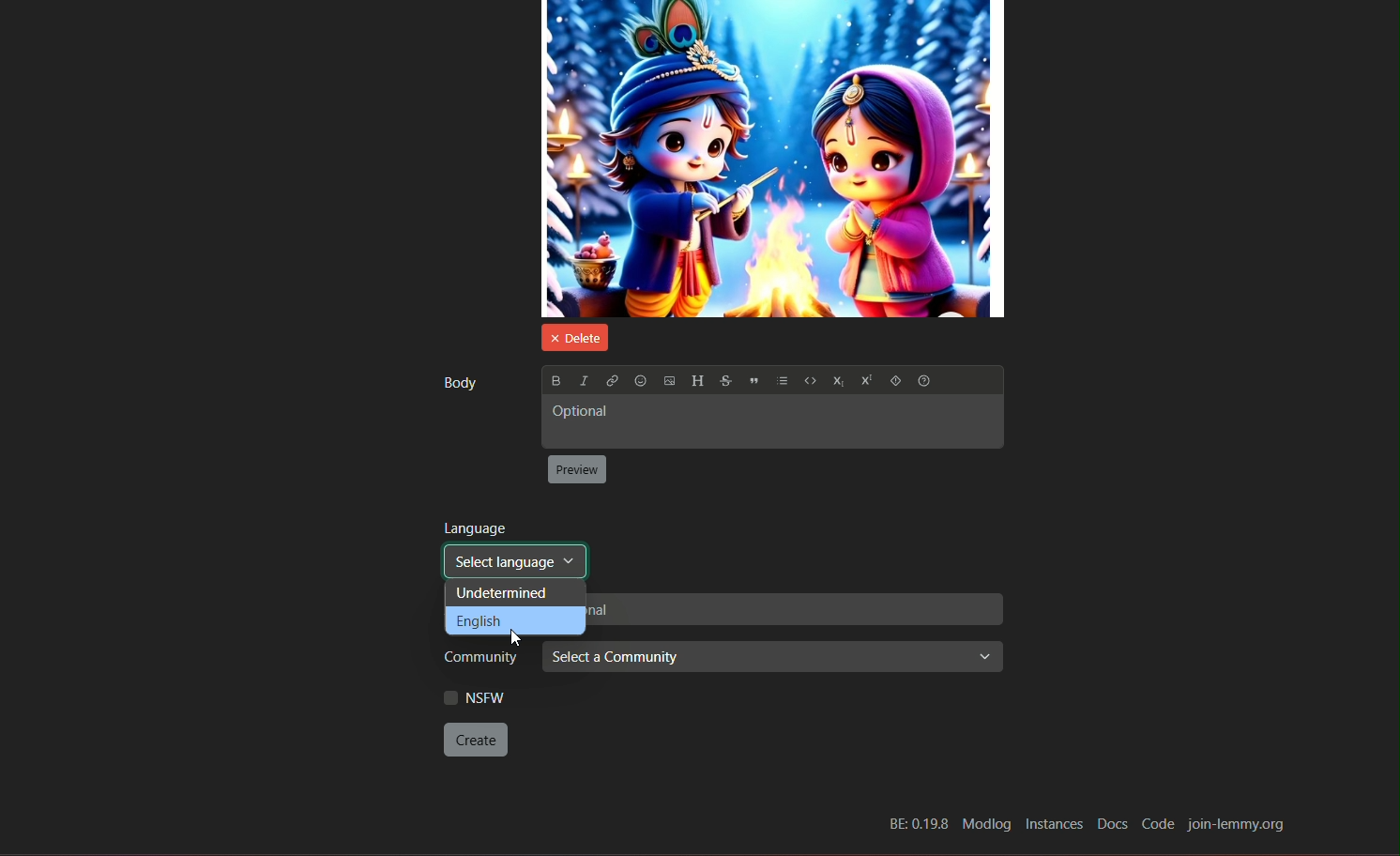 Image resolution: width=1400 pixels, height=856 pixels. I want to click on Optional, so click(796, 611).